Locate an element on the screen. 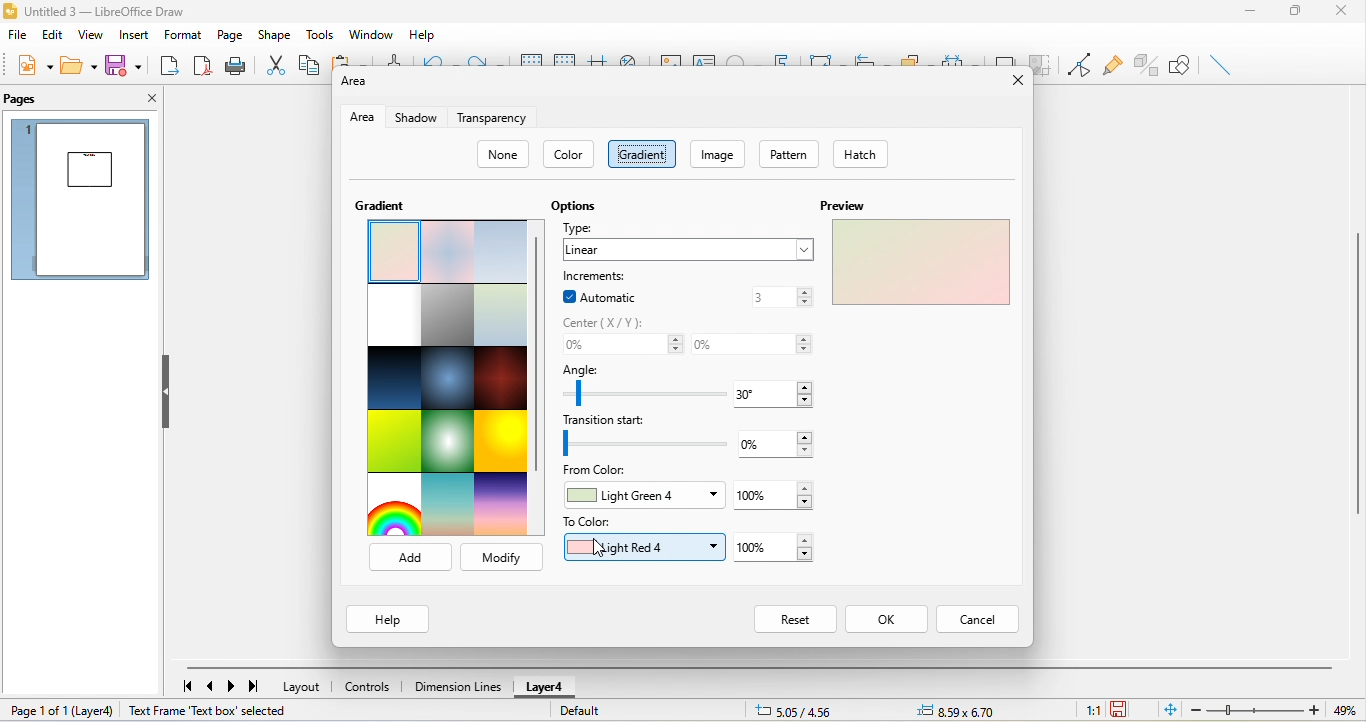 Image resolution: width=1366 pixels, height=722 pixels. dimension line is located at coordinates (456, 685).